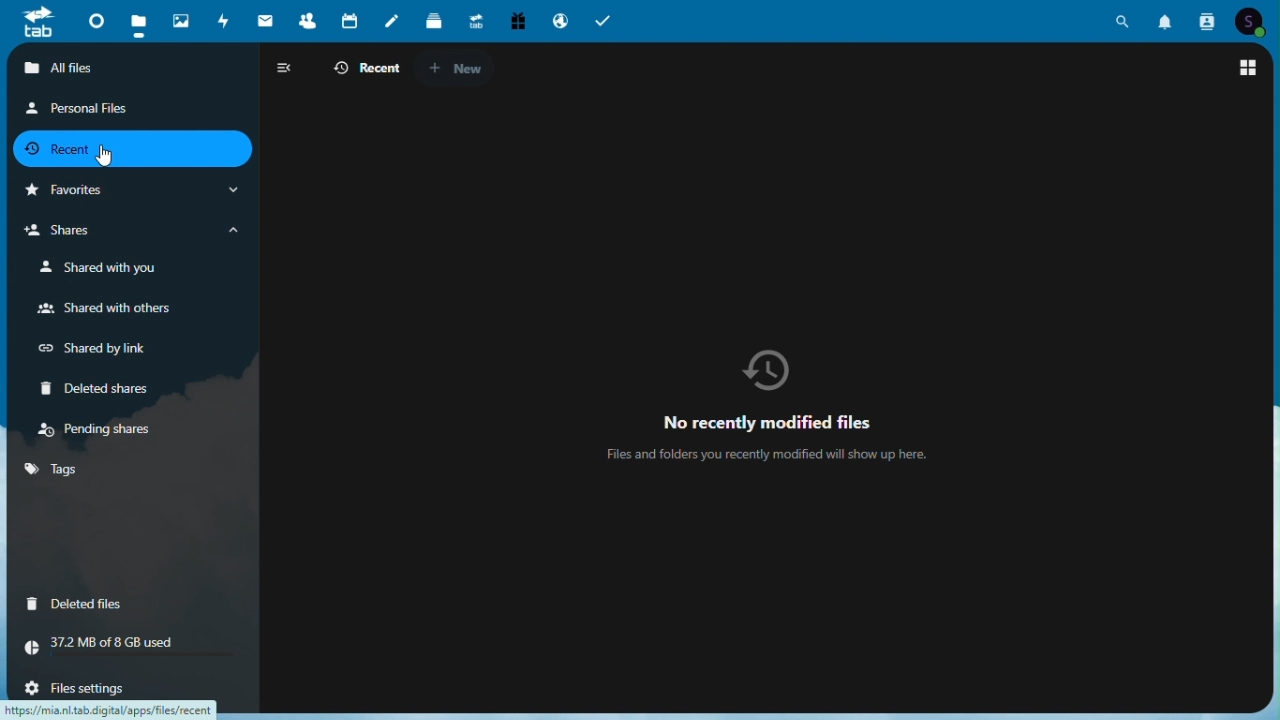 The height and width of the screenshot is (720, 1280). I want to click on File settings, so click(71, 688).